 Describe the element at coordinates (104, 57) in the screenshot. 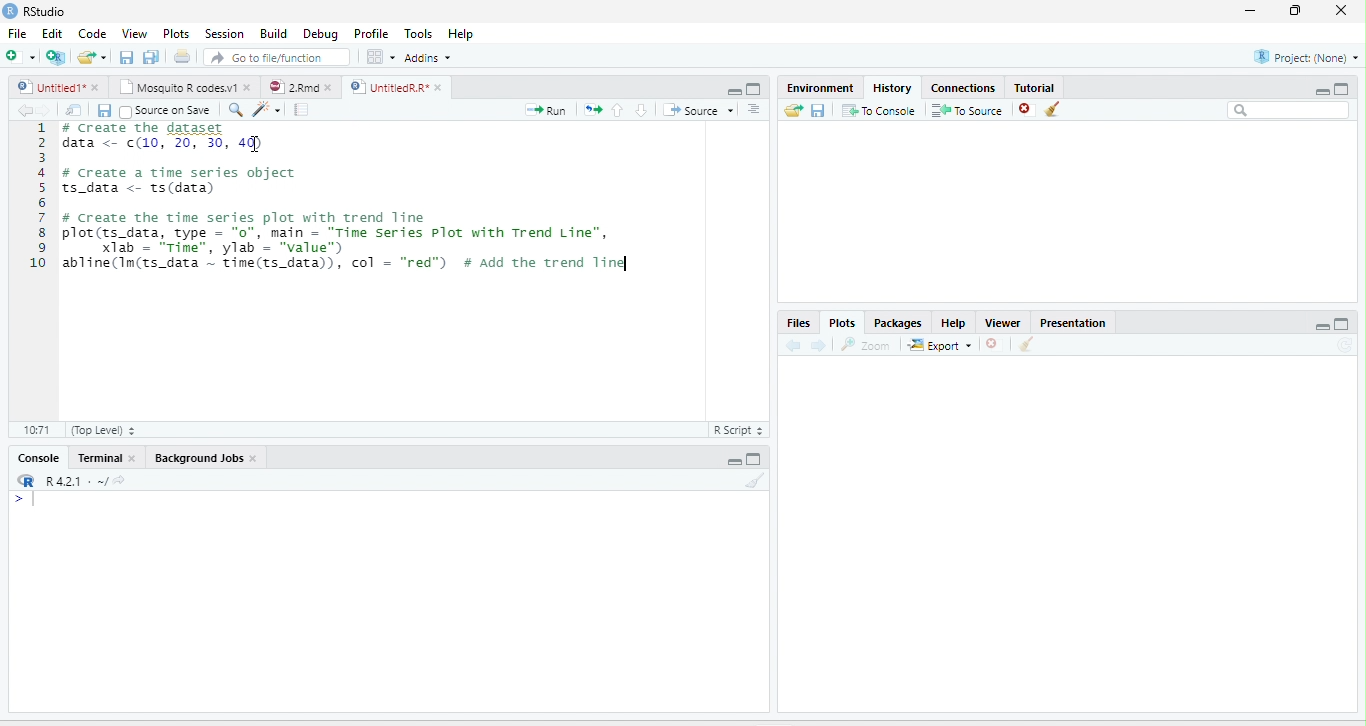

I see `Open recent files` at that location.